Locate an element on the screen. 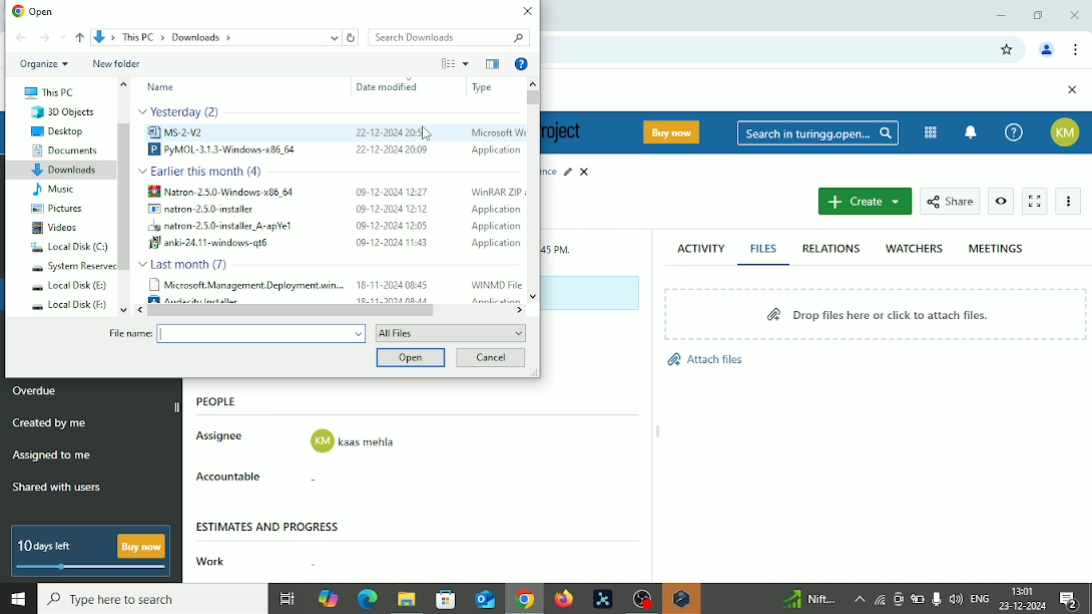 The height and width of the screenshot is (614, 1092). Attach files is located at coordinates (703, 355).